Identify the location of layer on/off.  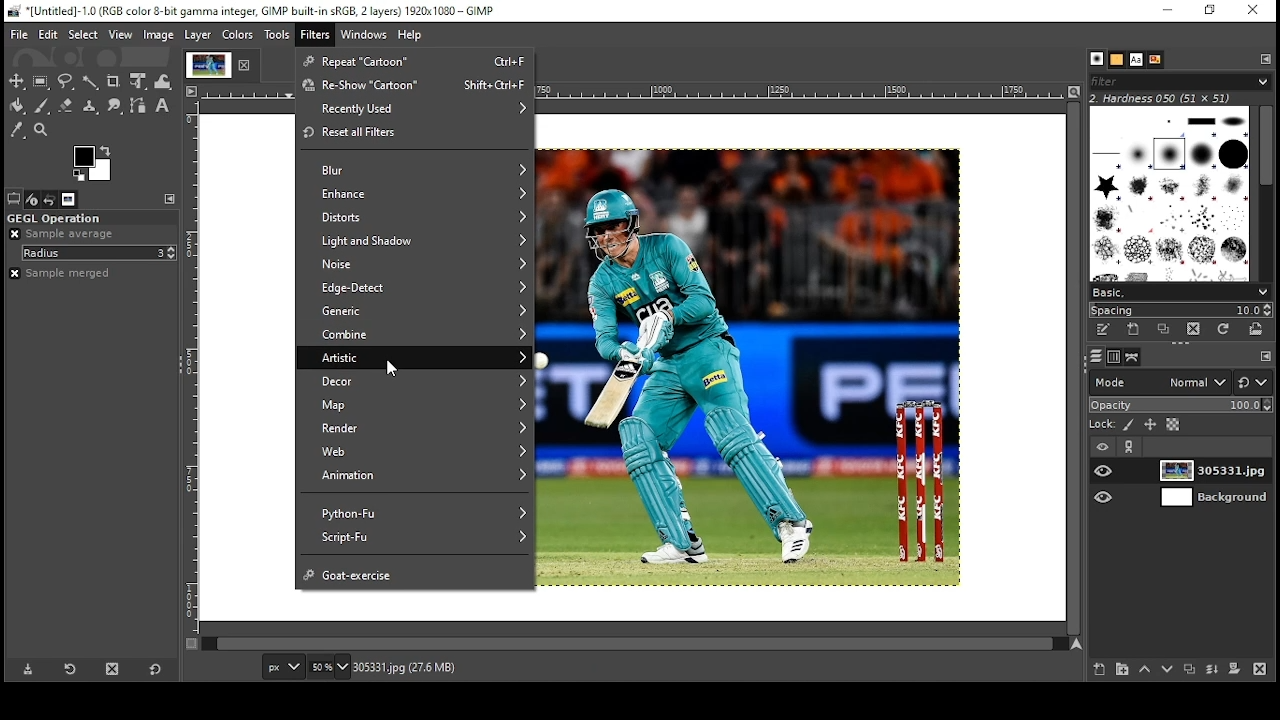
(1106, 498).